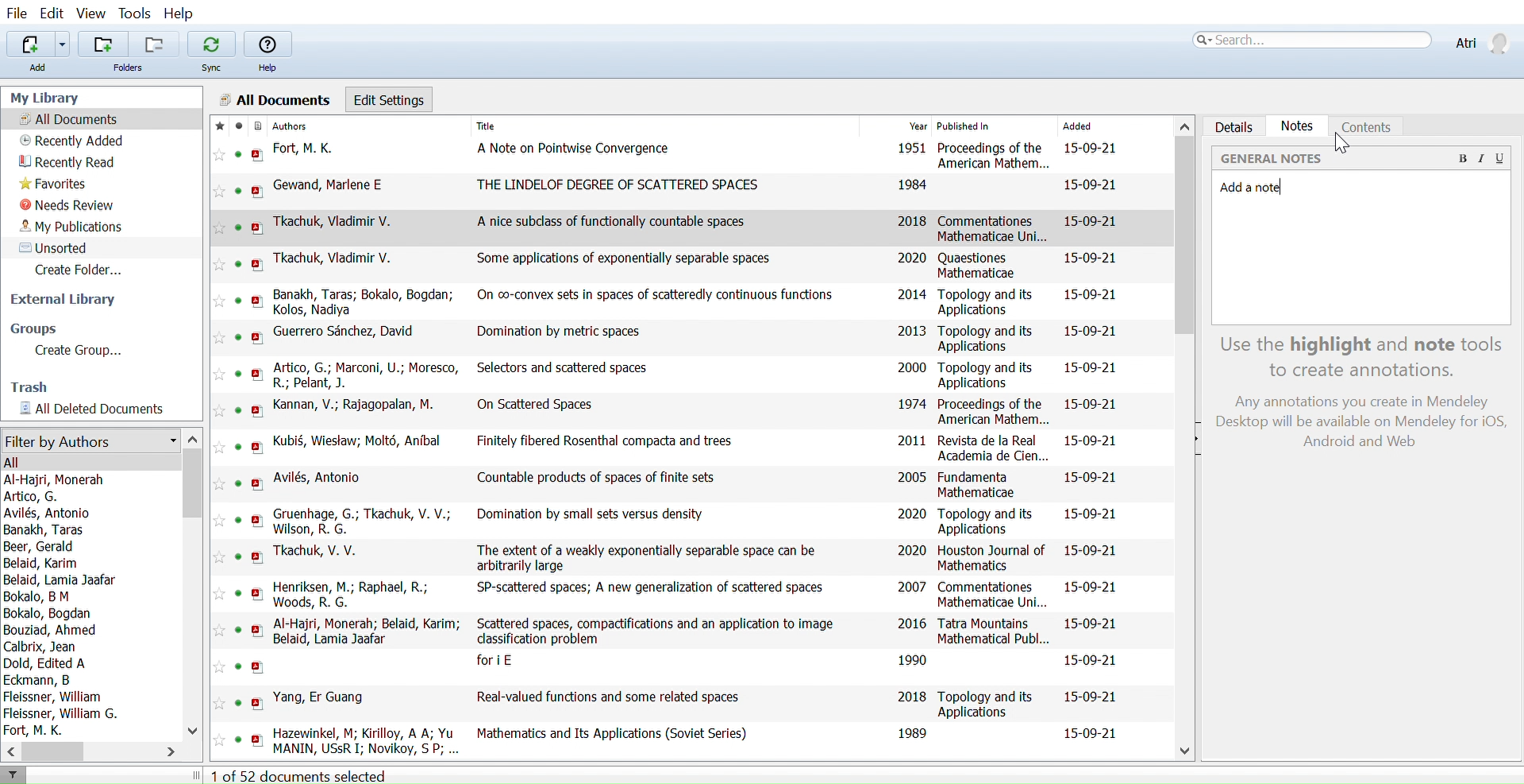  I want to click on 2020, so click(910, 256).